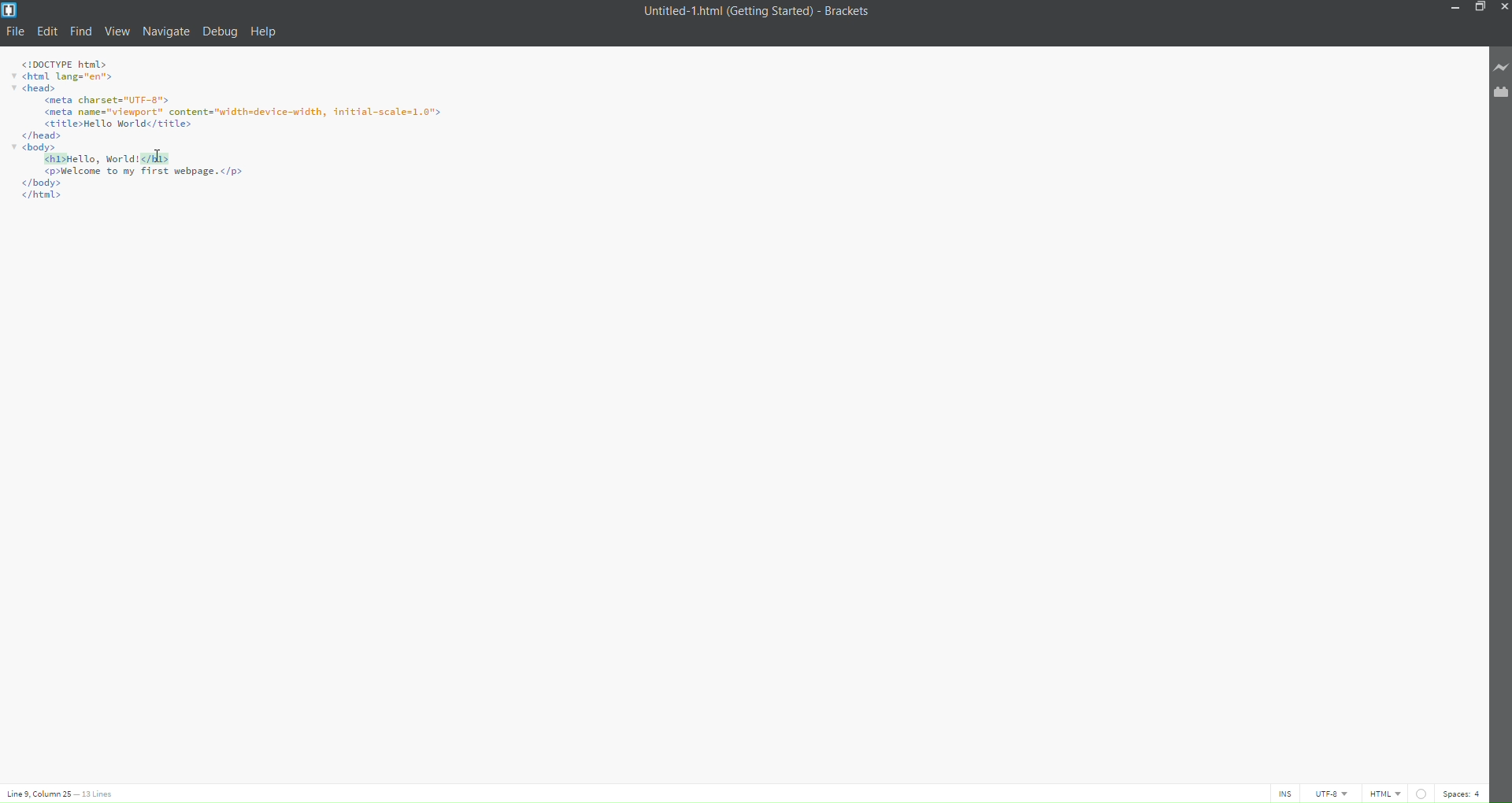 Image resolution: width=1512 pixels, height=803 pixels. What do you see at coordinates (266, 32) in the screenshot?
I see `help` at bounding box center [266, 32].